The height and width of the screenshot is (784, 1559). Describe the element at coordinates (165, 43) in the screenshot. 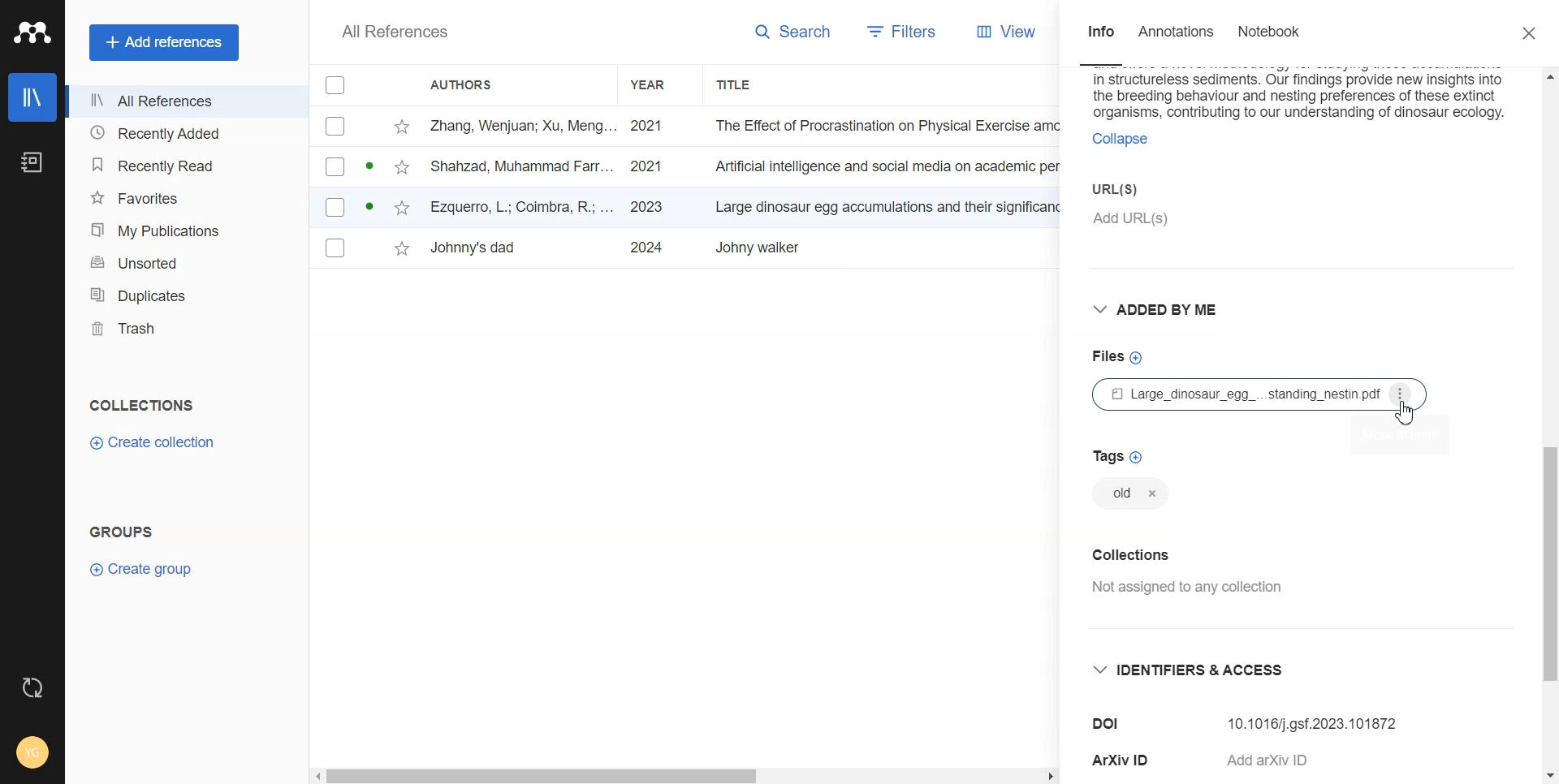

I see `Add references` at that location.